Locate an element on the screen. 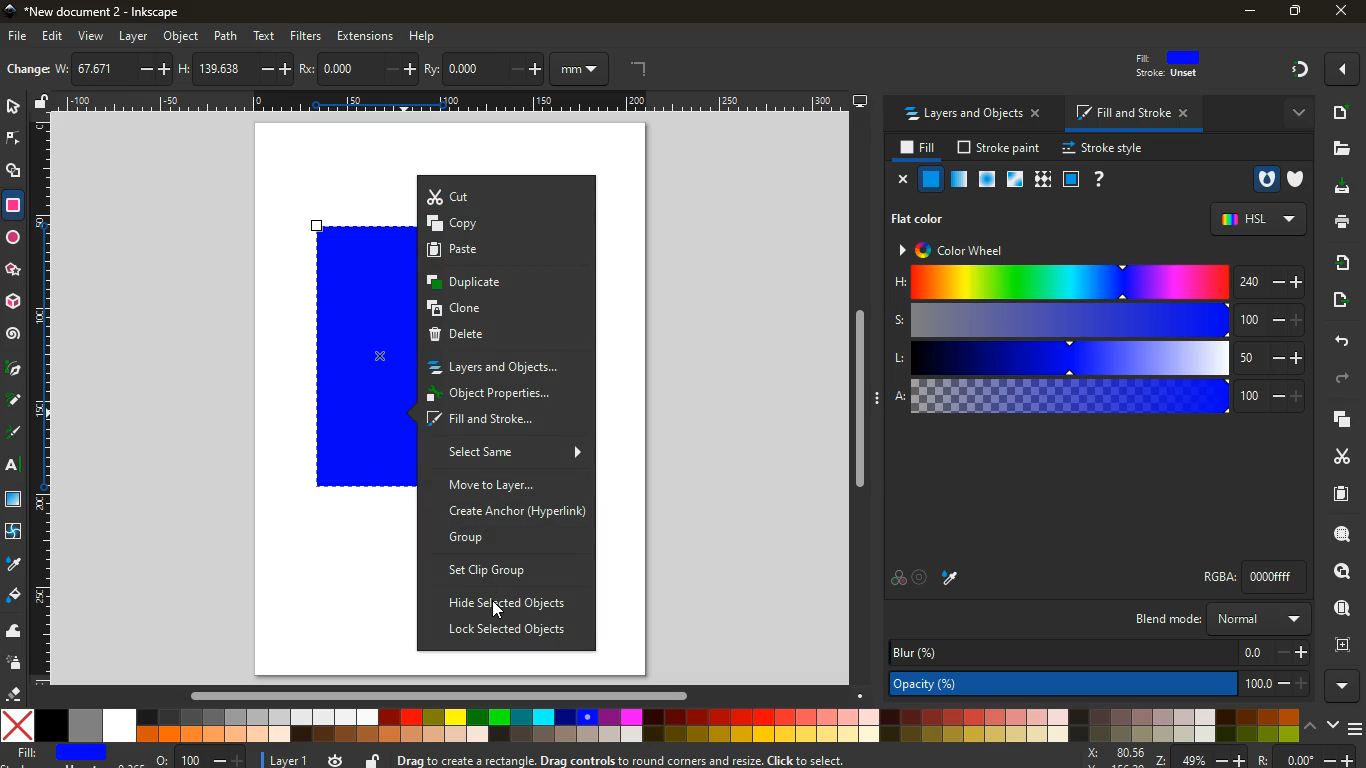  paper is located at coordinates (1336, 494).